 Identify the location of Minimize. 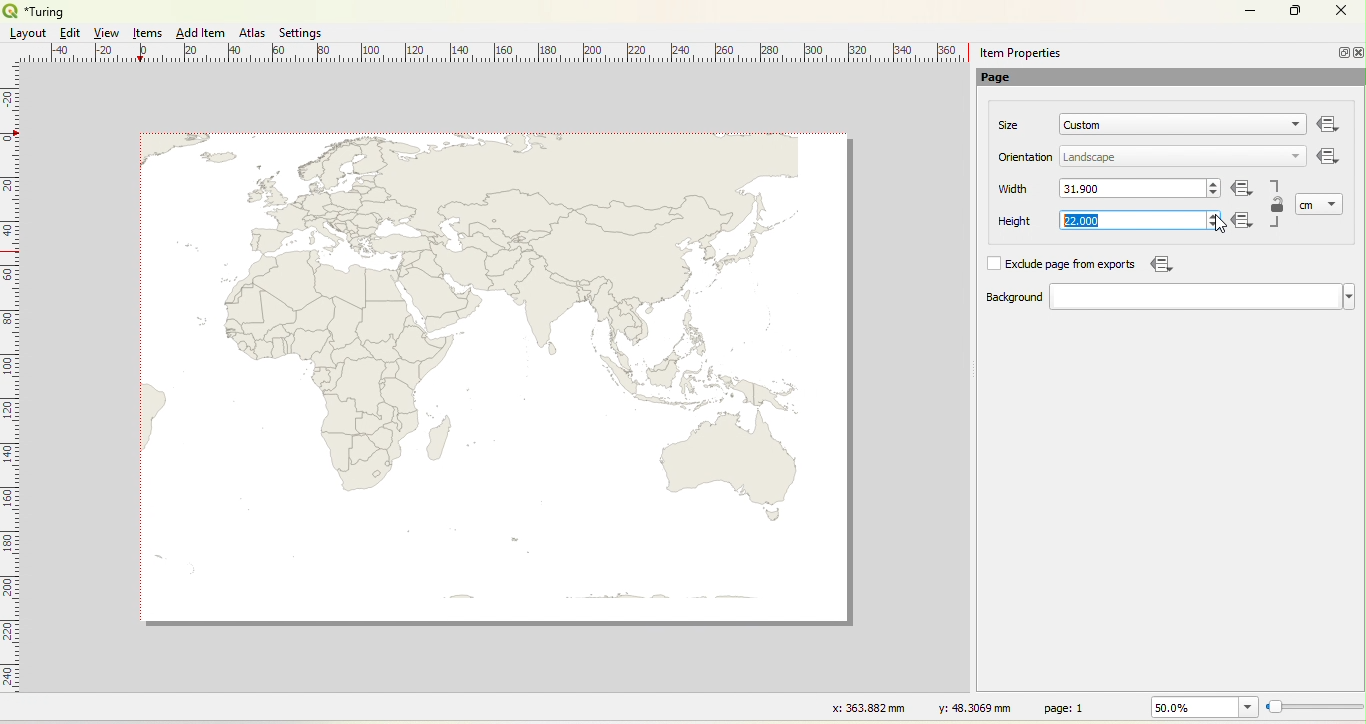
(1341, 52).